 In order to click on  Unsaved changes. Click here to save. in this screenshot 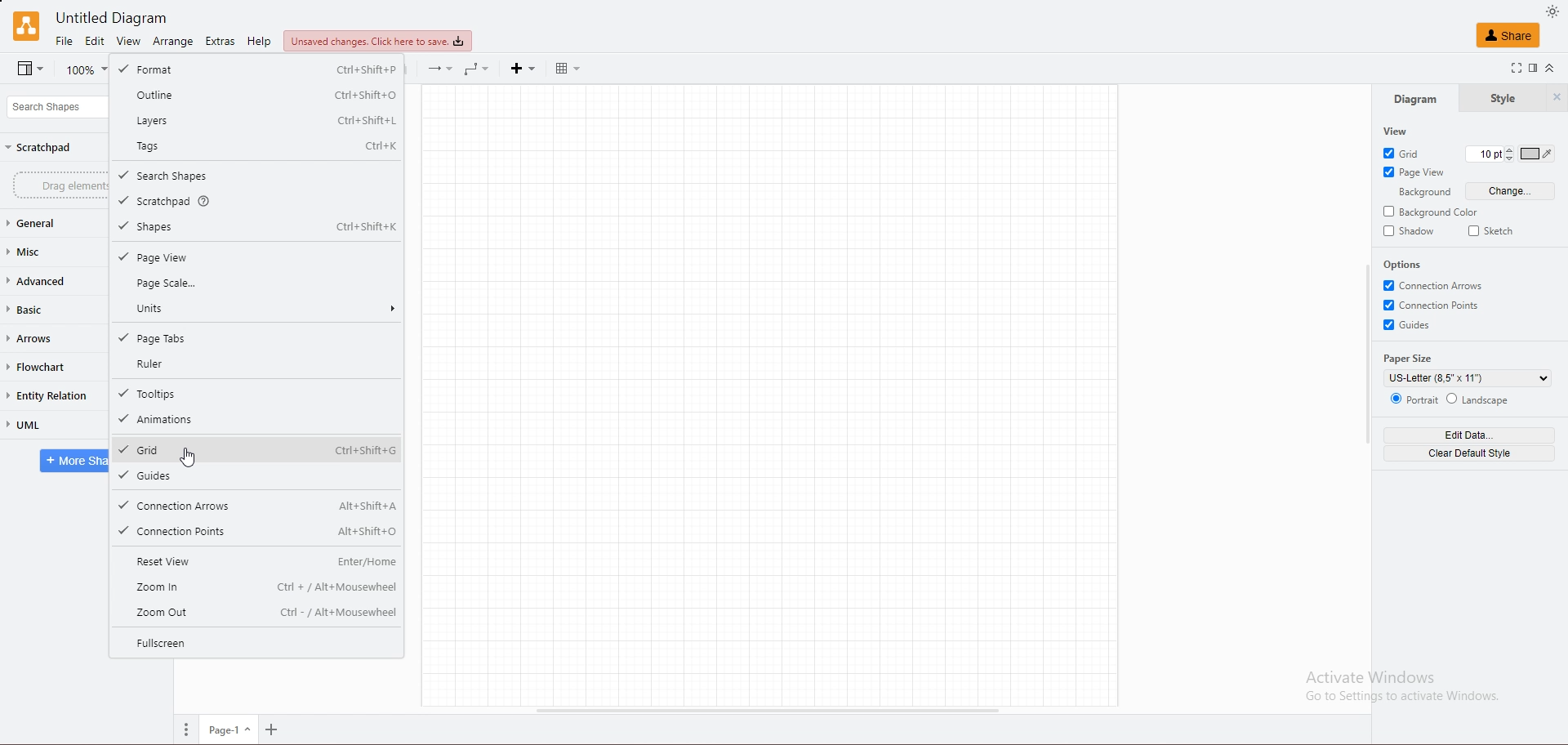, I will do `click(381, 42)`.